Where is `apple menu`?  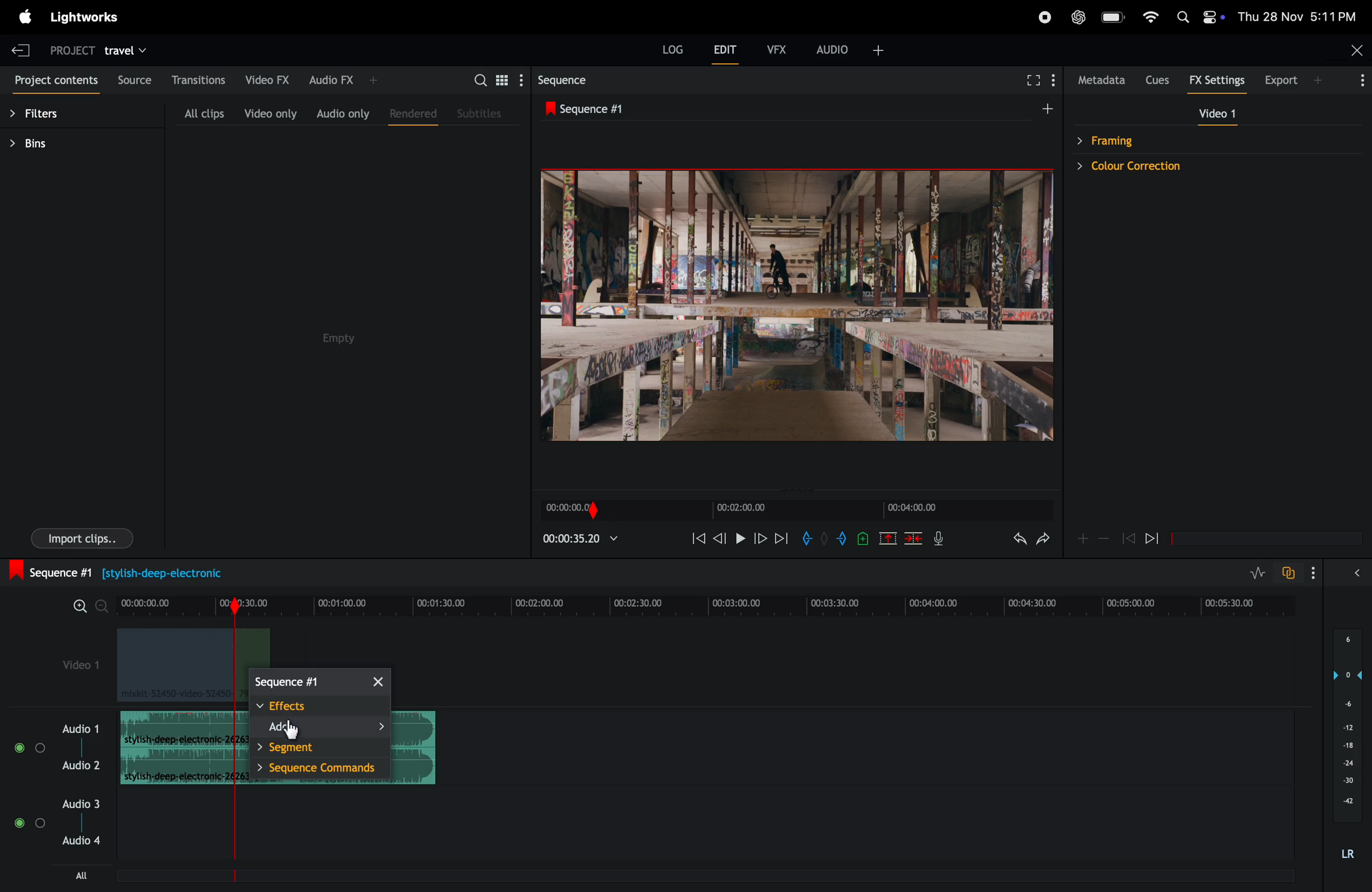 apple menu is located at coordinates (24, 16).